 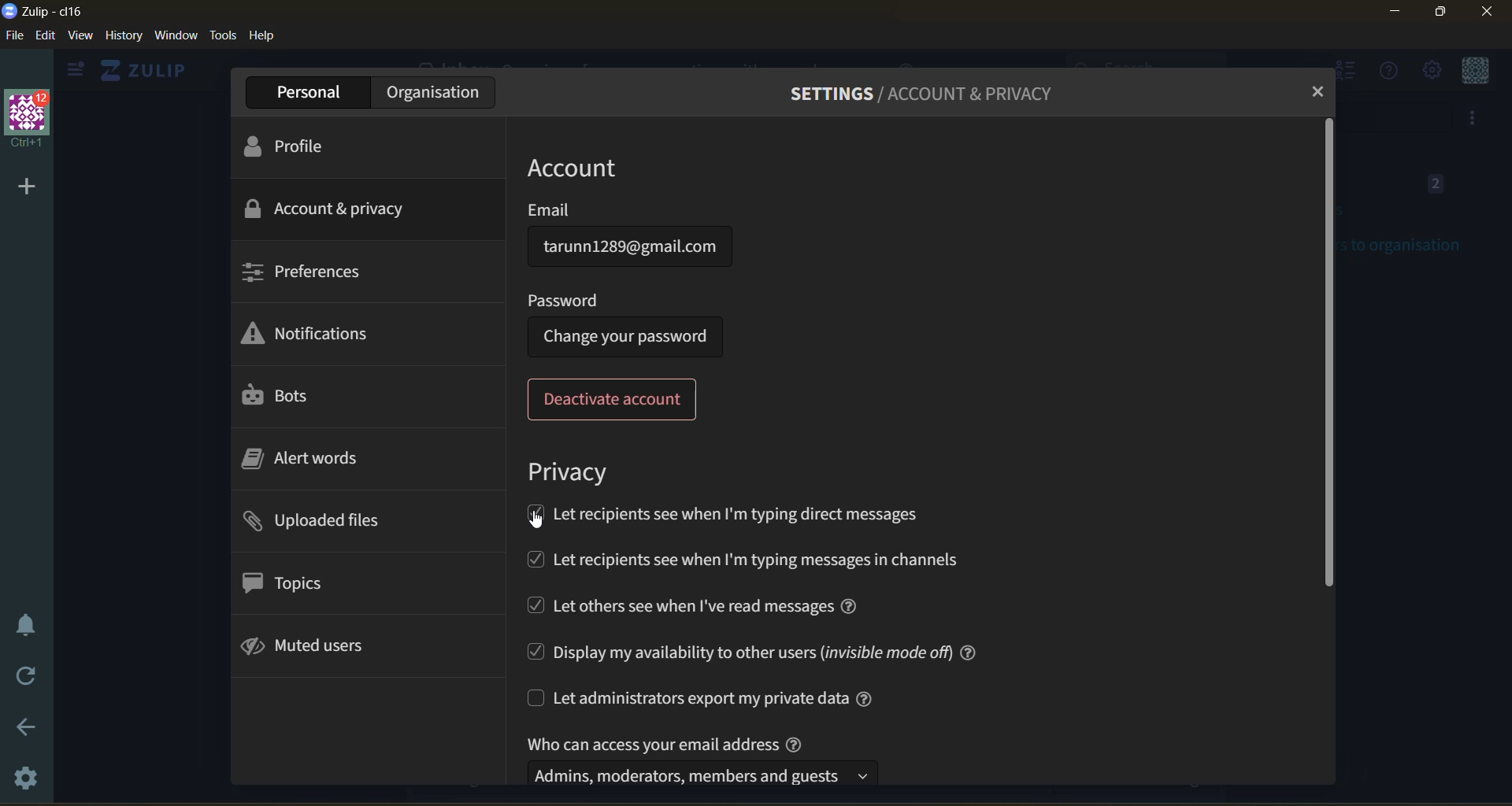 I want to click on ZULIP, so click(x=150, y=71).